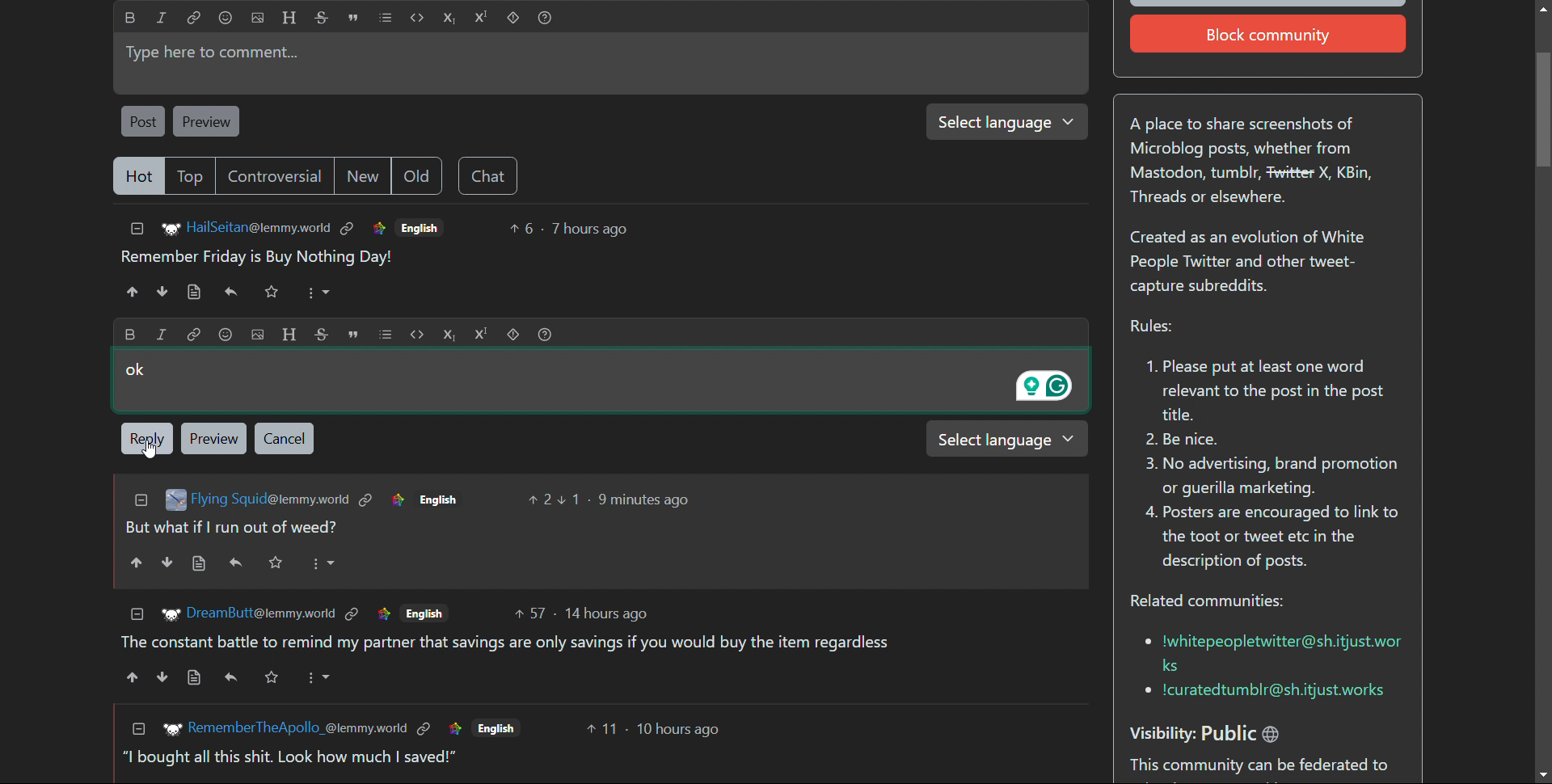 The width and height of the screenshot is (1552, 784). What do you see at coordinates (449, 18) in the screenshot?
I see `subscript` at bounding box center [449, 18].